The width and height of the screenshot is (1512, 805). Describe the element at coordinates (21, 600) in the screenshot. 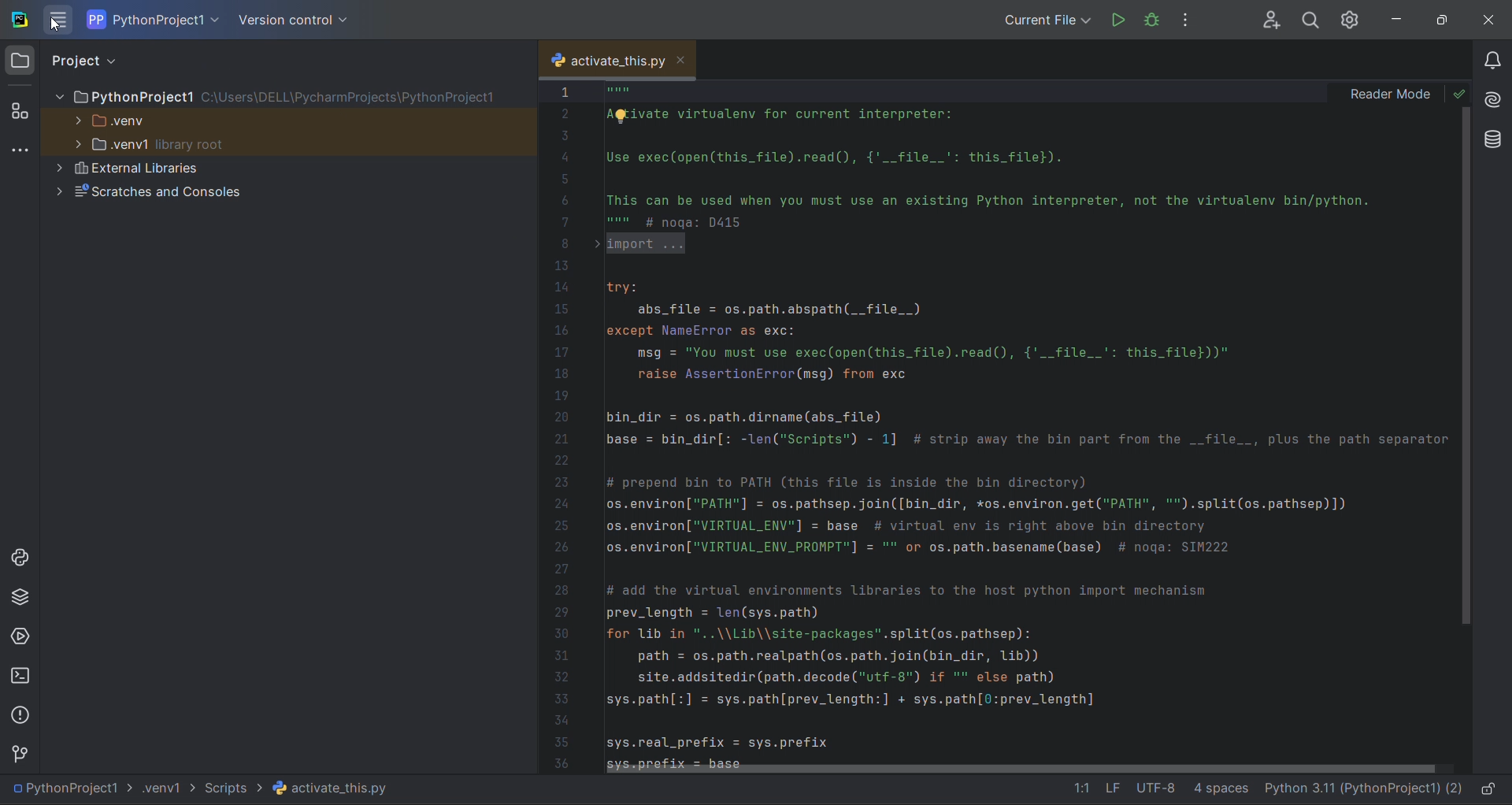

I see `python package` at that location.